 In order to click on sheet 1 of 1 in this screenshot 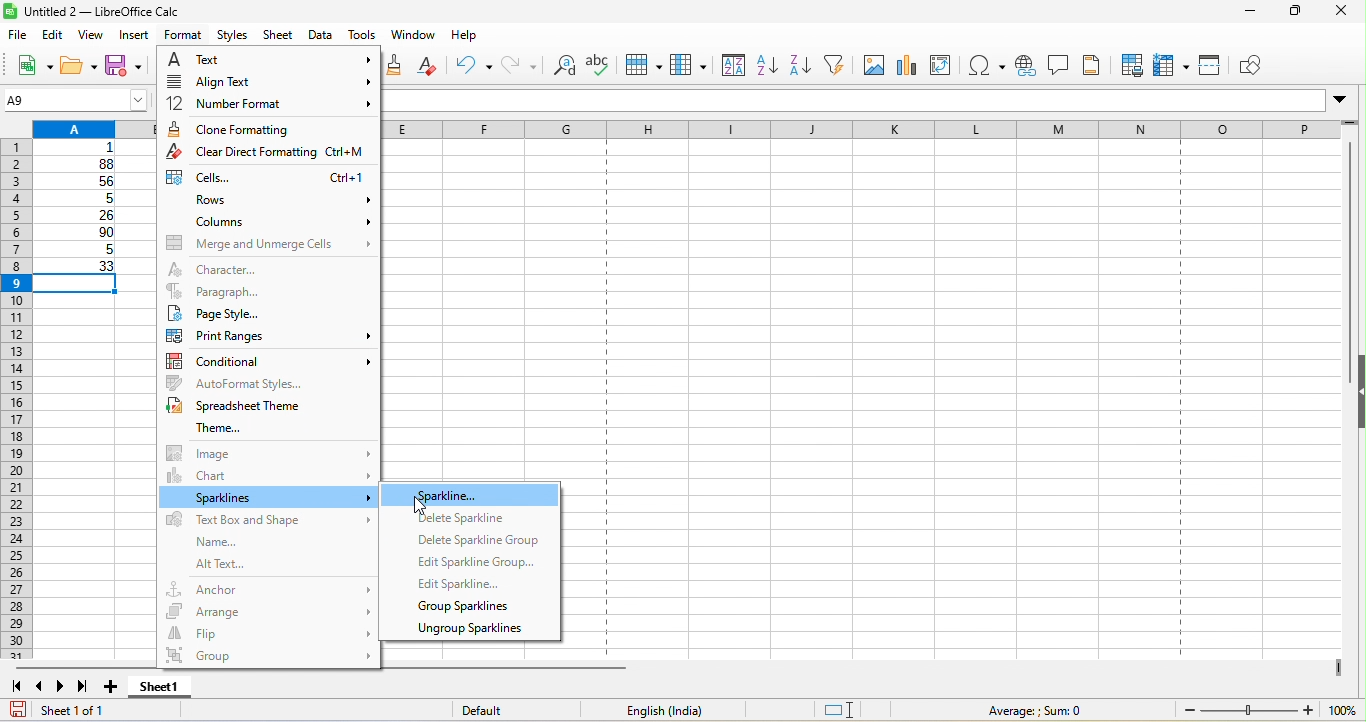, I will do `click(105, 713)`.